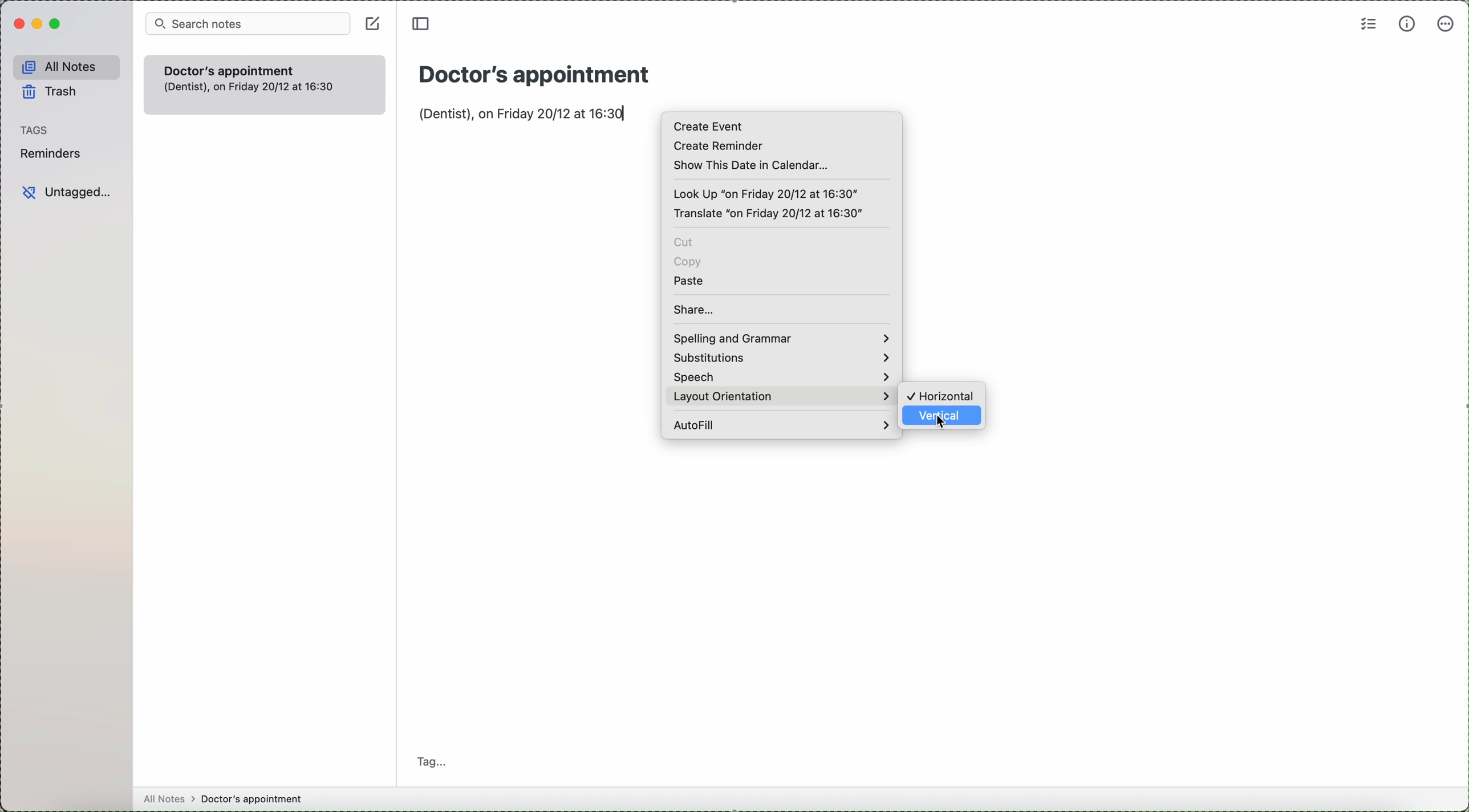 The height and width of the screenshot is (812, 1469). Describe the element at coordinates (423, 26) in the screenshot. I see `toggle sidebar` at that location.